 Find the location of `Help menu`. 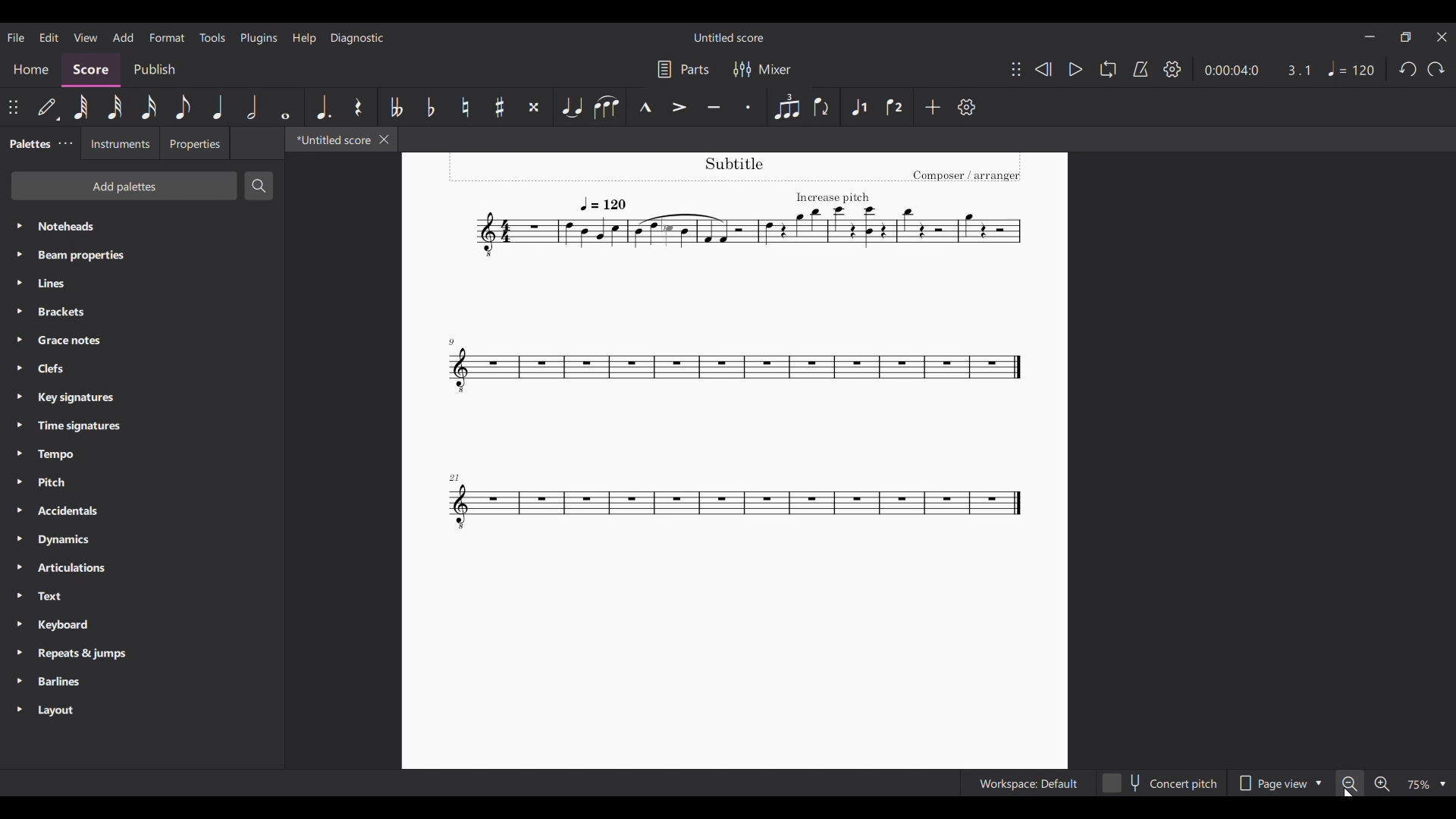

Help menu is located at coordinates (304, 38).